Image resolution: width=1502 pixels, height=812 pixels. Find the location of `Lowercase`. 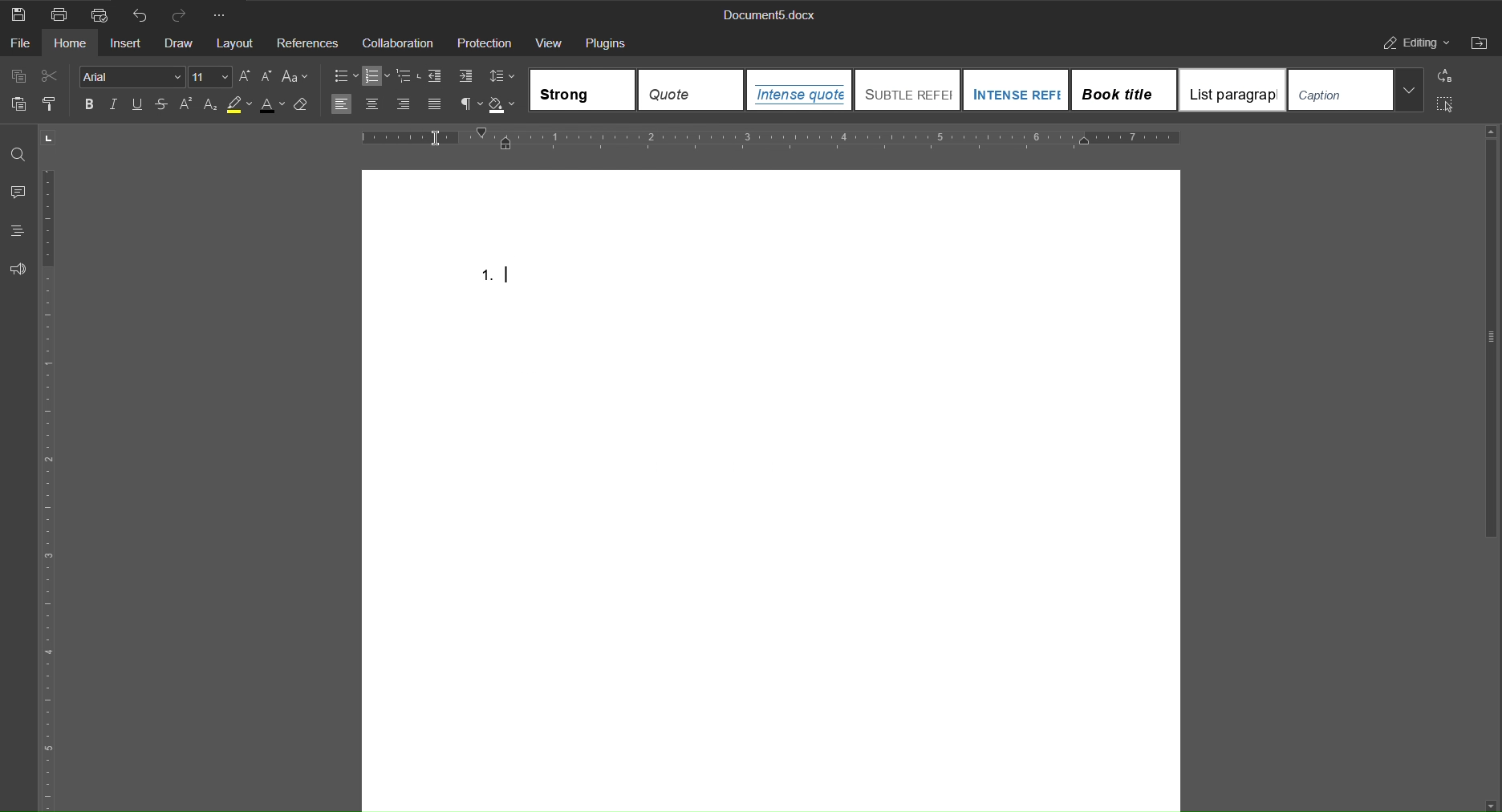

Lowercase is located at coordinates (268, 76).